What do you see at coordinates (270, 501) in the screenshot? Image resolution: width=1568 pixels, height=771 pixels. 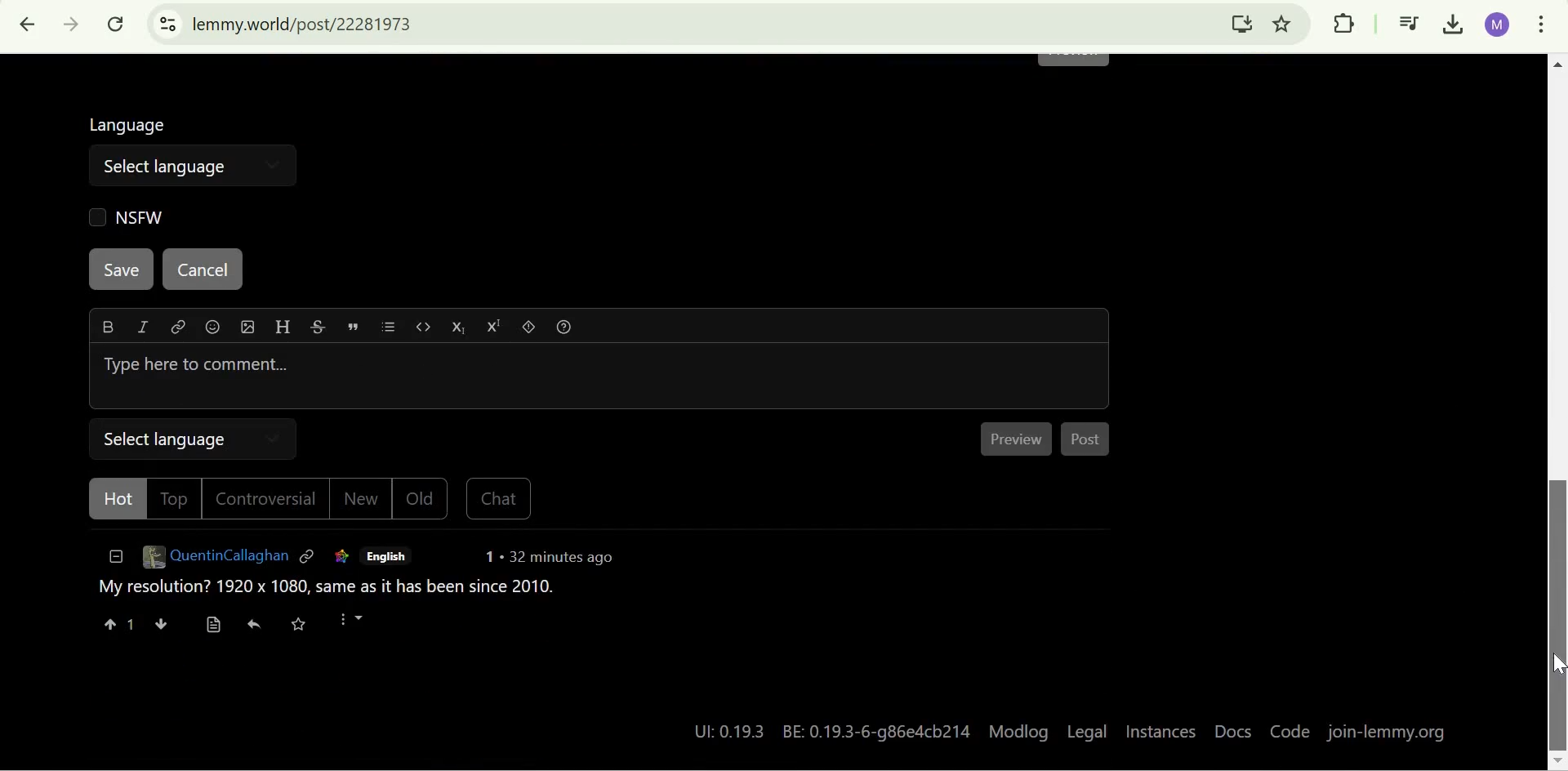 I see `Controversial` at bounding box center [270, 501].